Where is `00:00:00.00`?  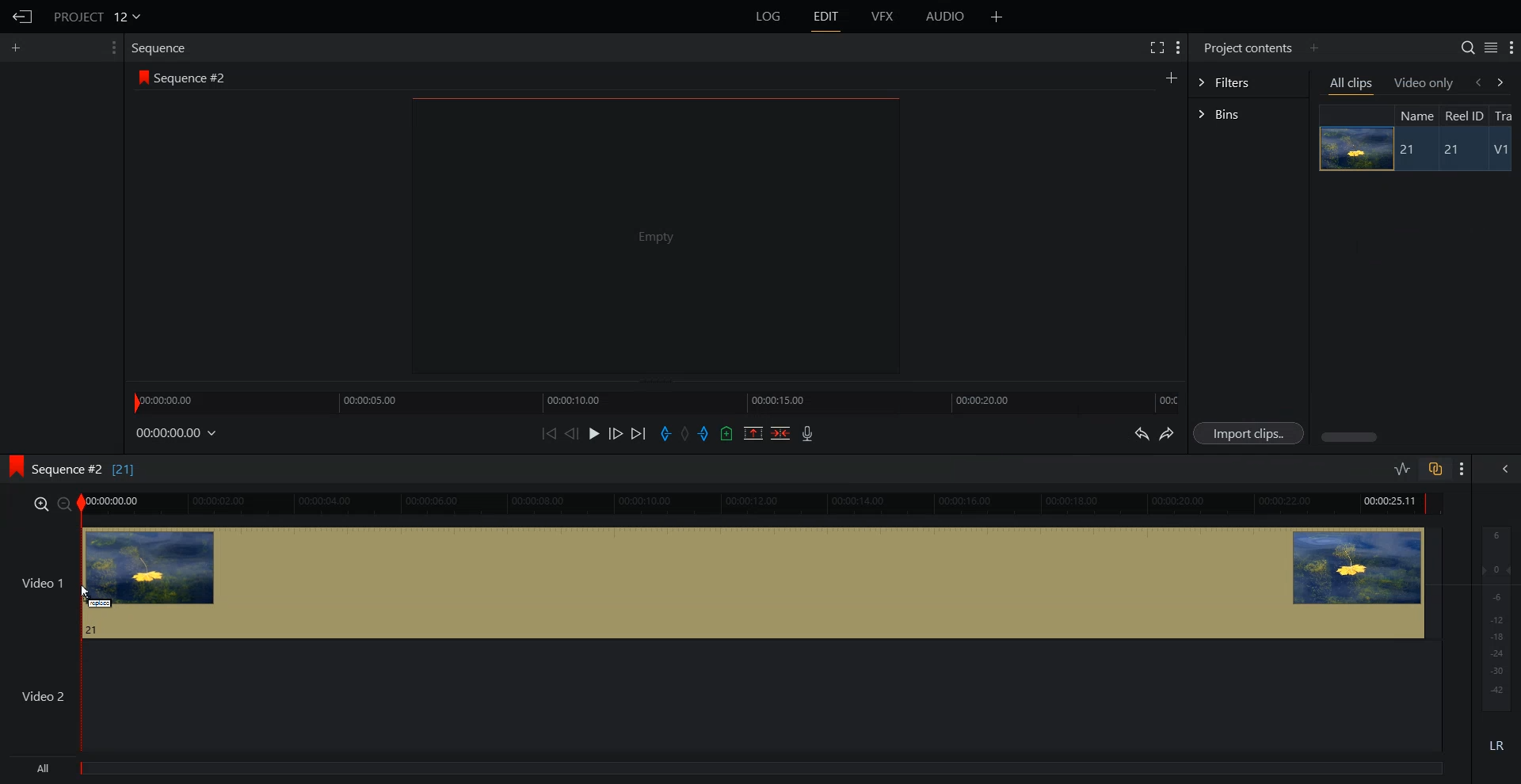 00:00:00.00 is located at coordinates (177, 434).